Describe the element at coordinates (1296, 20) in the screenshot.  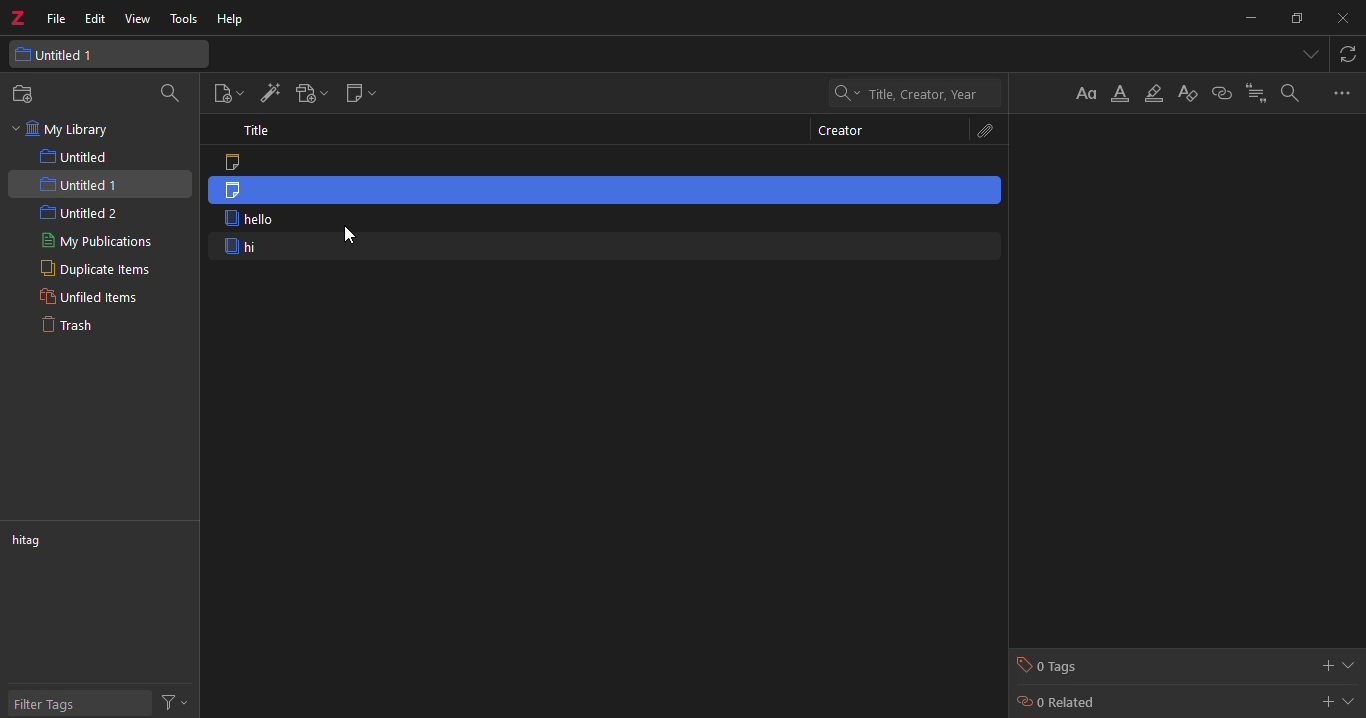
I see `maximize` at that location.